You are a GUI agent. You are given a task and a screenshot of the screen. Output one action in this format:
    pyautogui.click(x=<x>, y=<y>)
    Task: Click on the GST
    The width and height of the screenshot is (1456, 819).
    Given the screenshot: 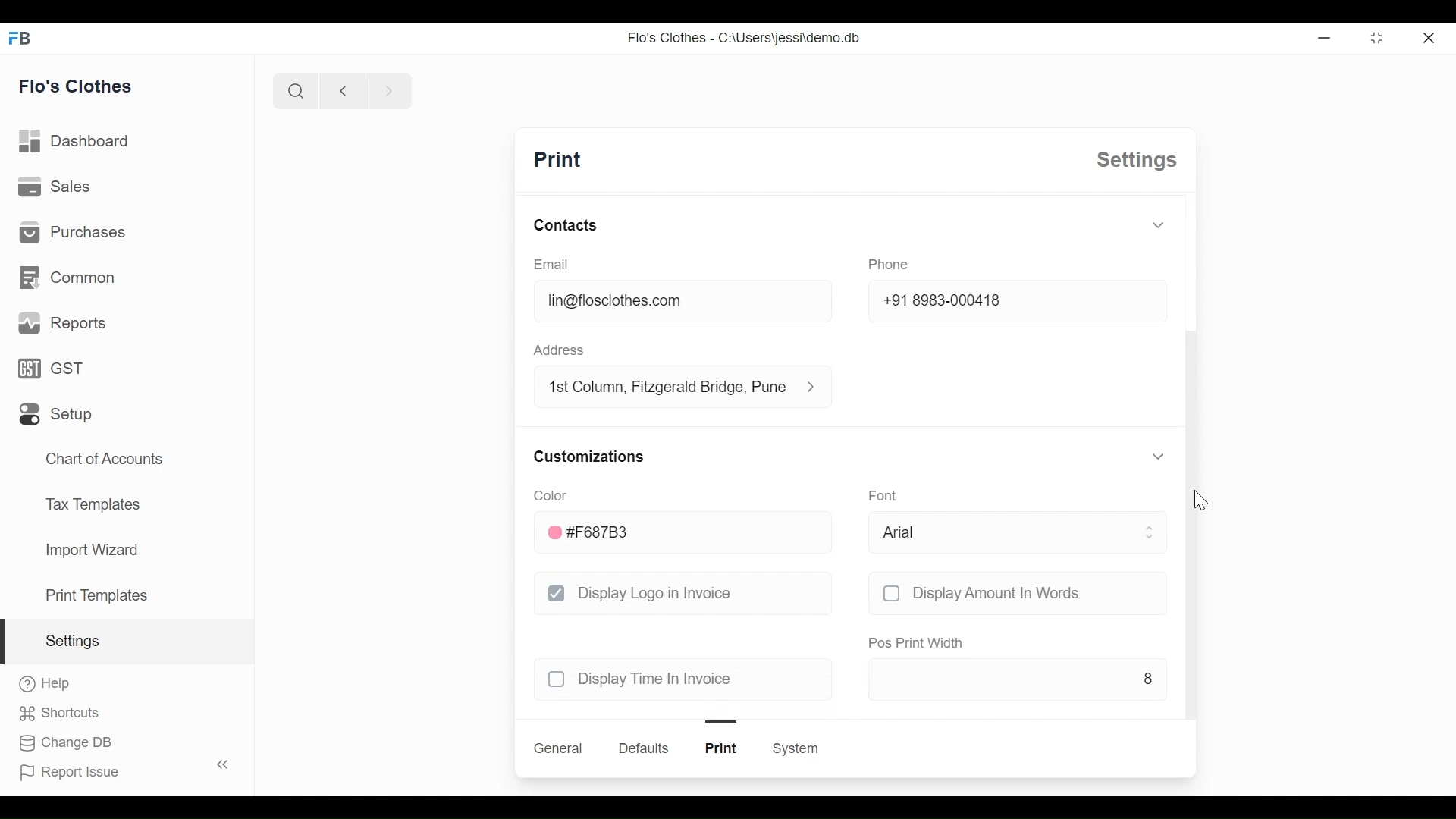 What is the action you would take?
    pyautogui.click(x=50, y=368)
    